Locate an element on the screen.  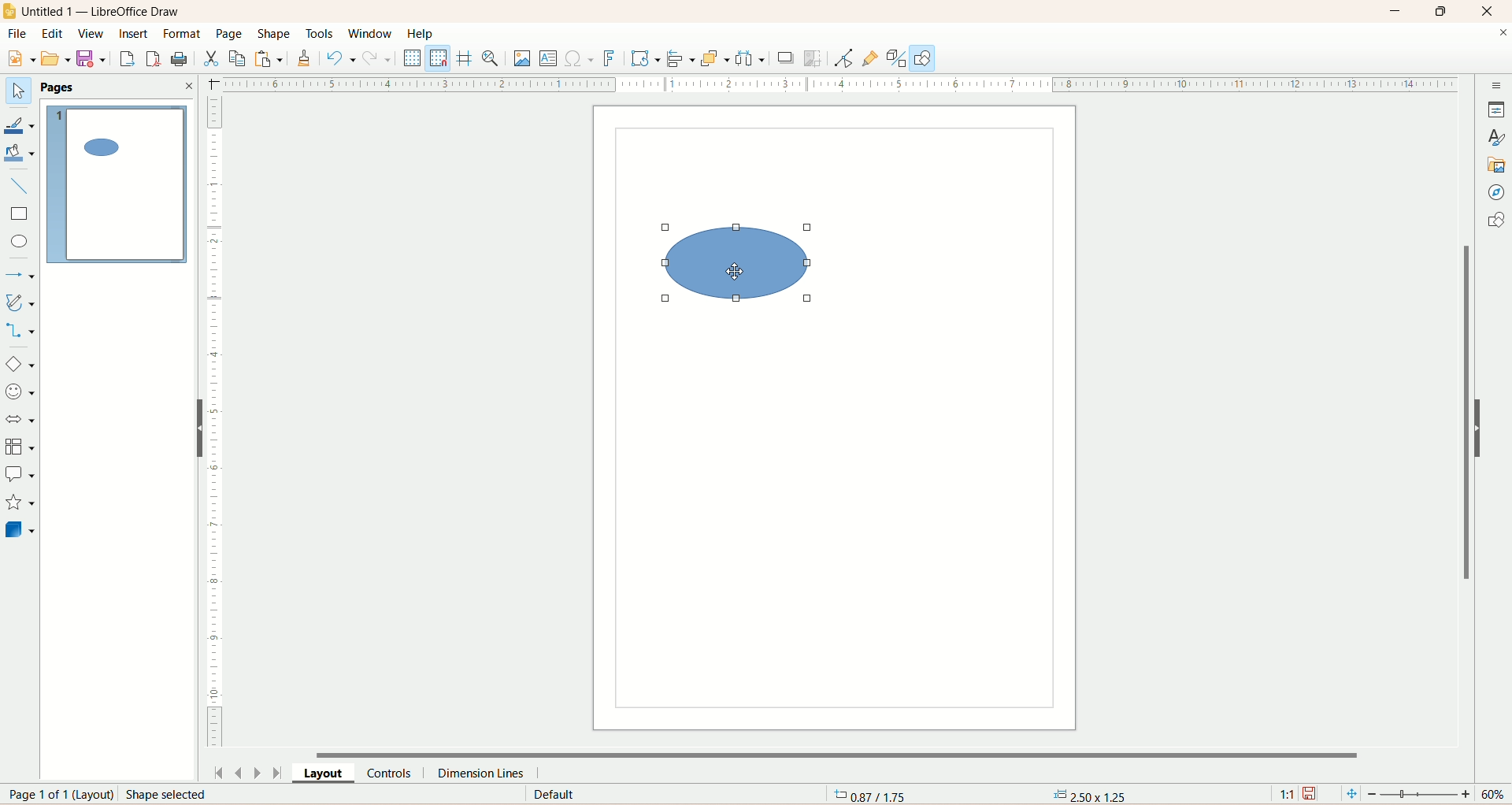
star and banners is located at coordinates (19, 502).